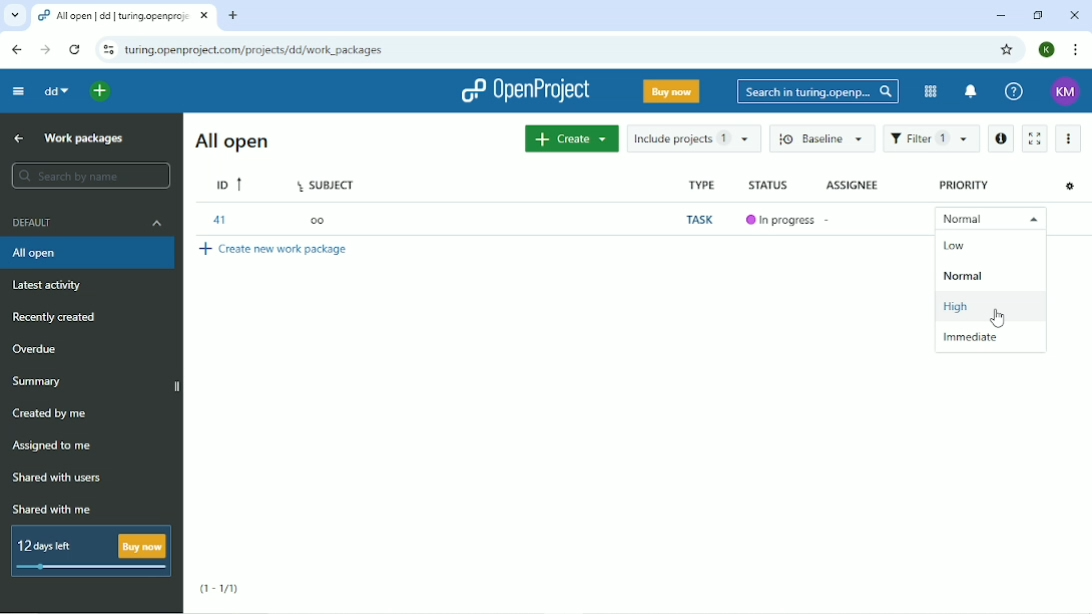 This screenshot has height=614, width=1092. I want to click on Configure view, so click(1070, 185).